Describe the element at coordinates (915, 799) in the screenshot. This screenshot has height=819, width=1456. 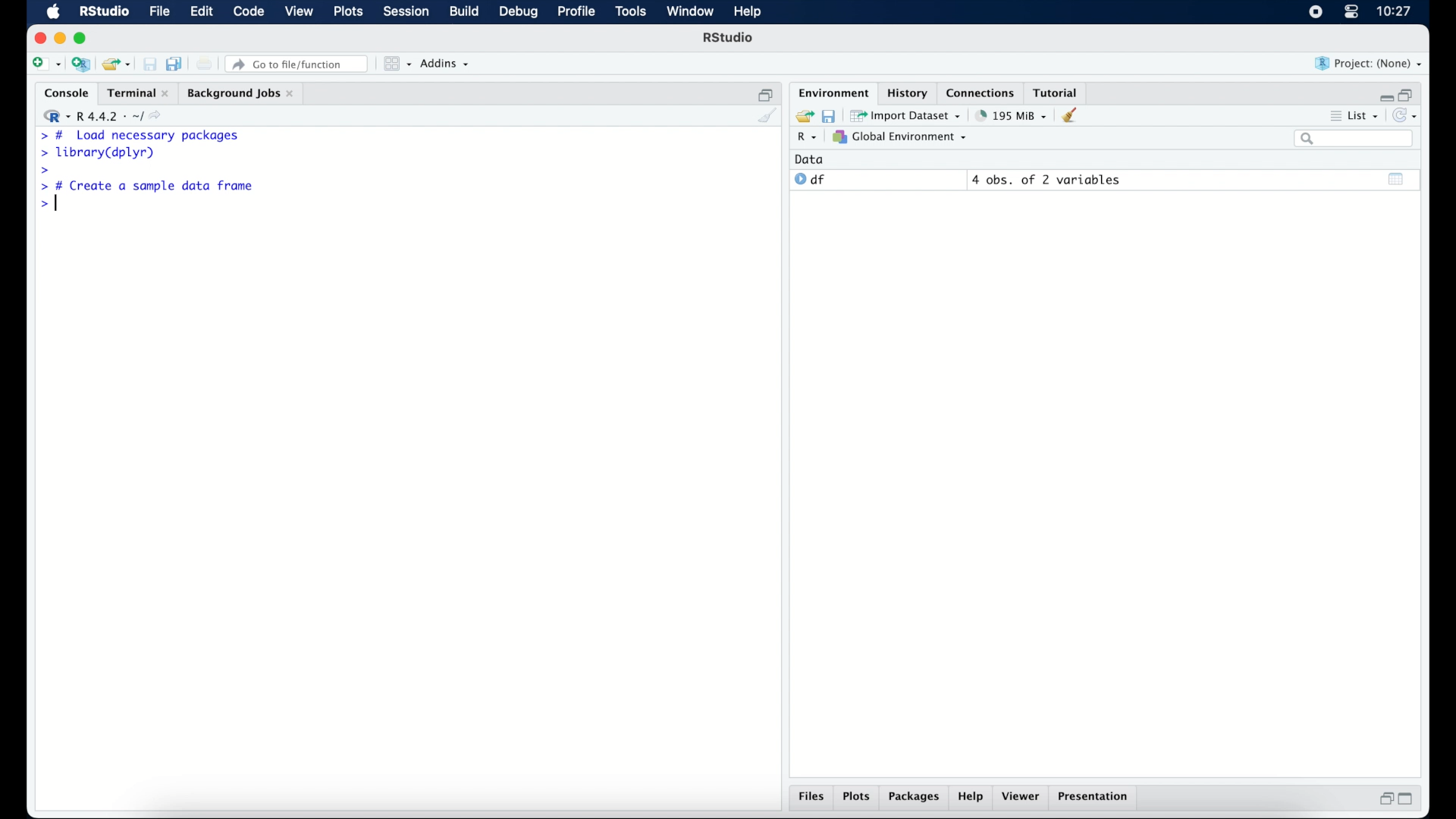
I see `packages` at that location.